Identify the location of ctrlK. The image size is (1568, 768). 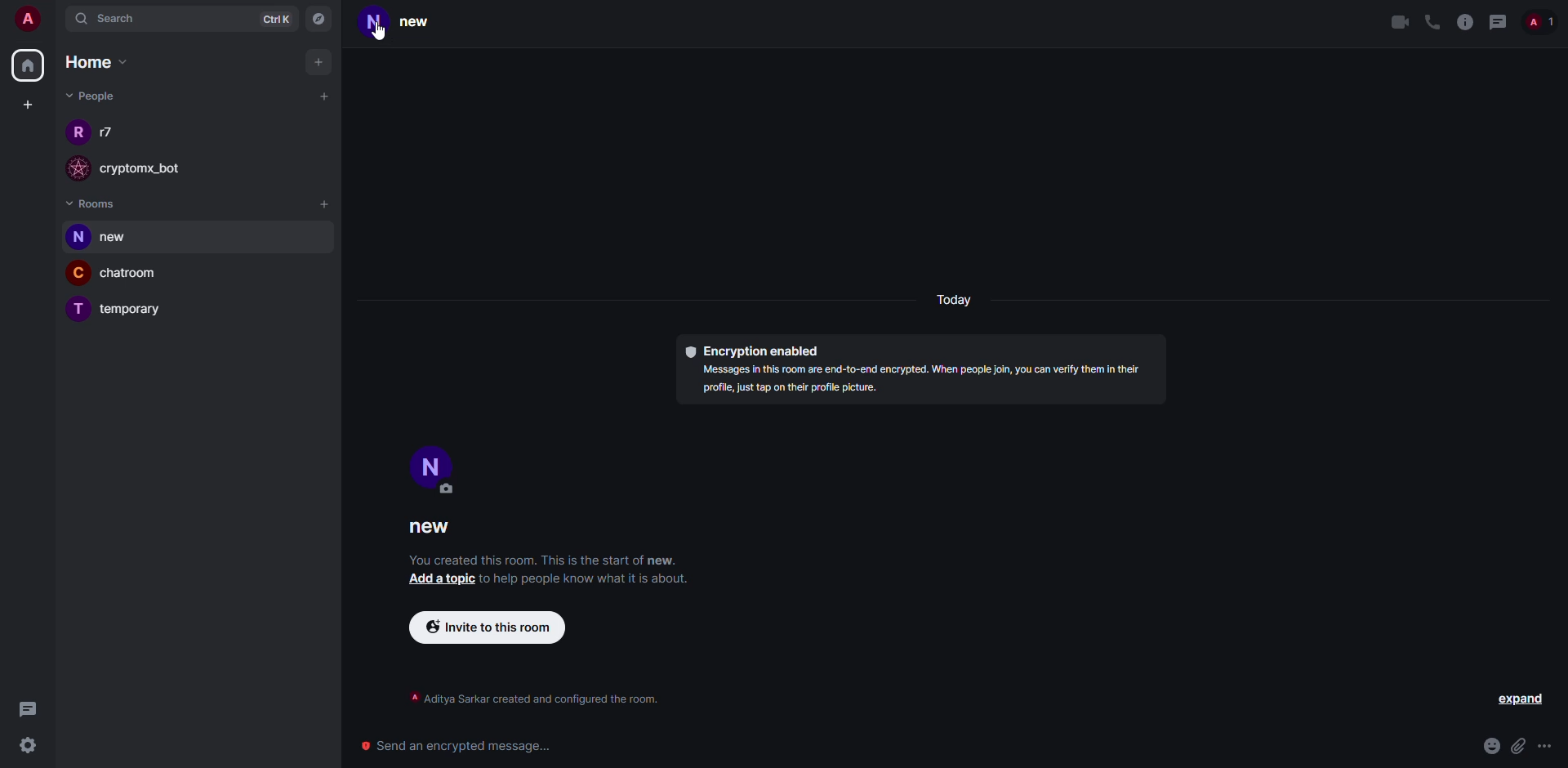
(268, 19).